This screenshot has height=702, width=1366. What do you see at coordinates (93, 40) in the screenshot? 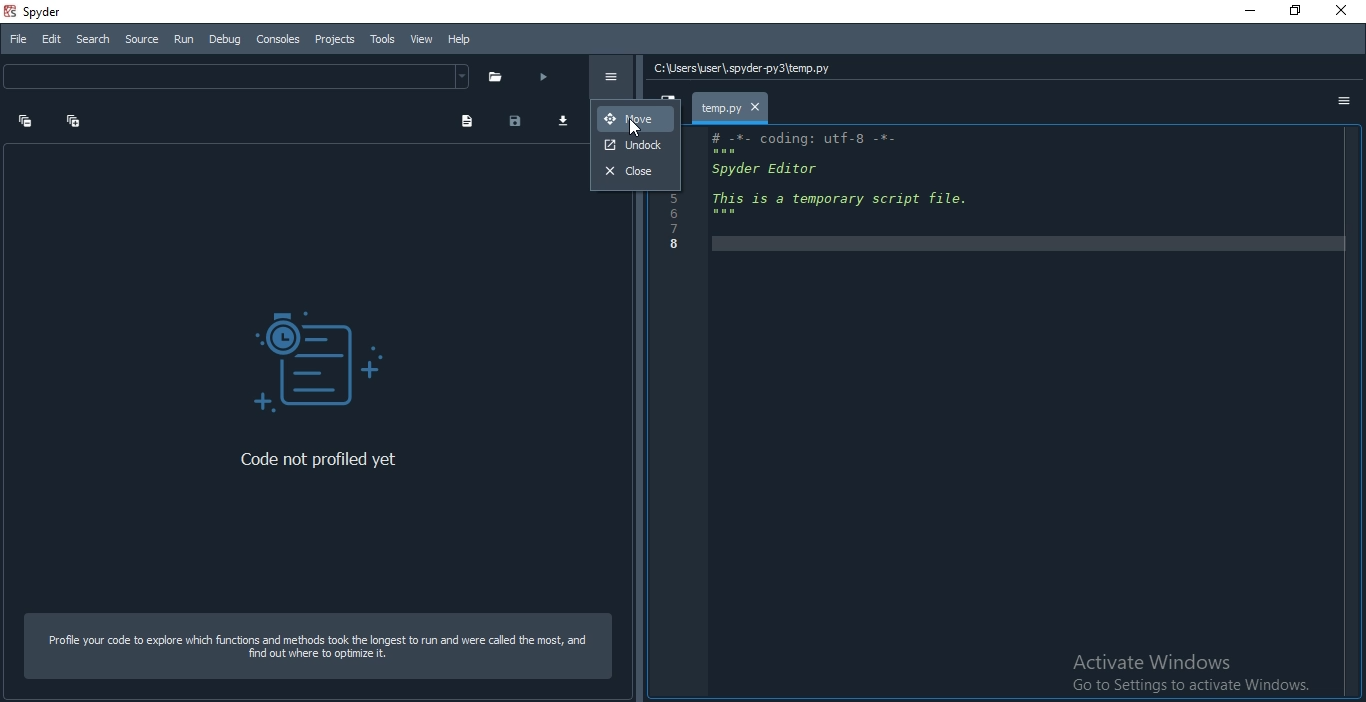
I see `Search` at bounding box center [93, 40].